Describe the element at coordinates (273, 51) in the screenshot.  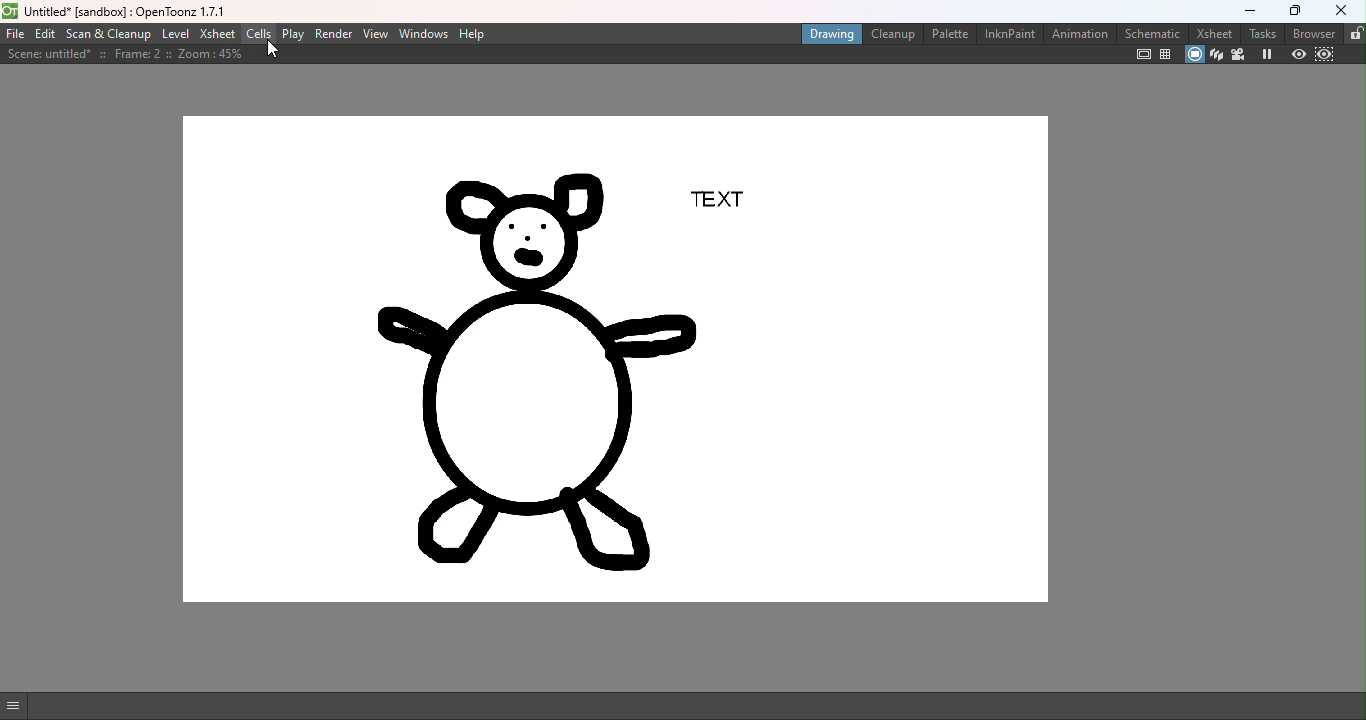
I see `Cursor` at that location.